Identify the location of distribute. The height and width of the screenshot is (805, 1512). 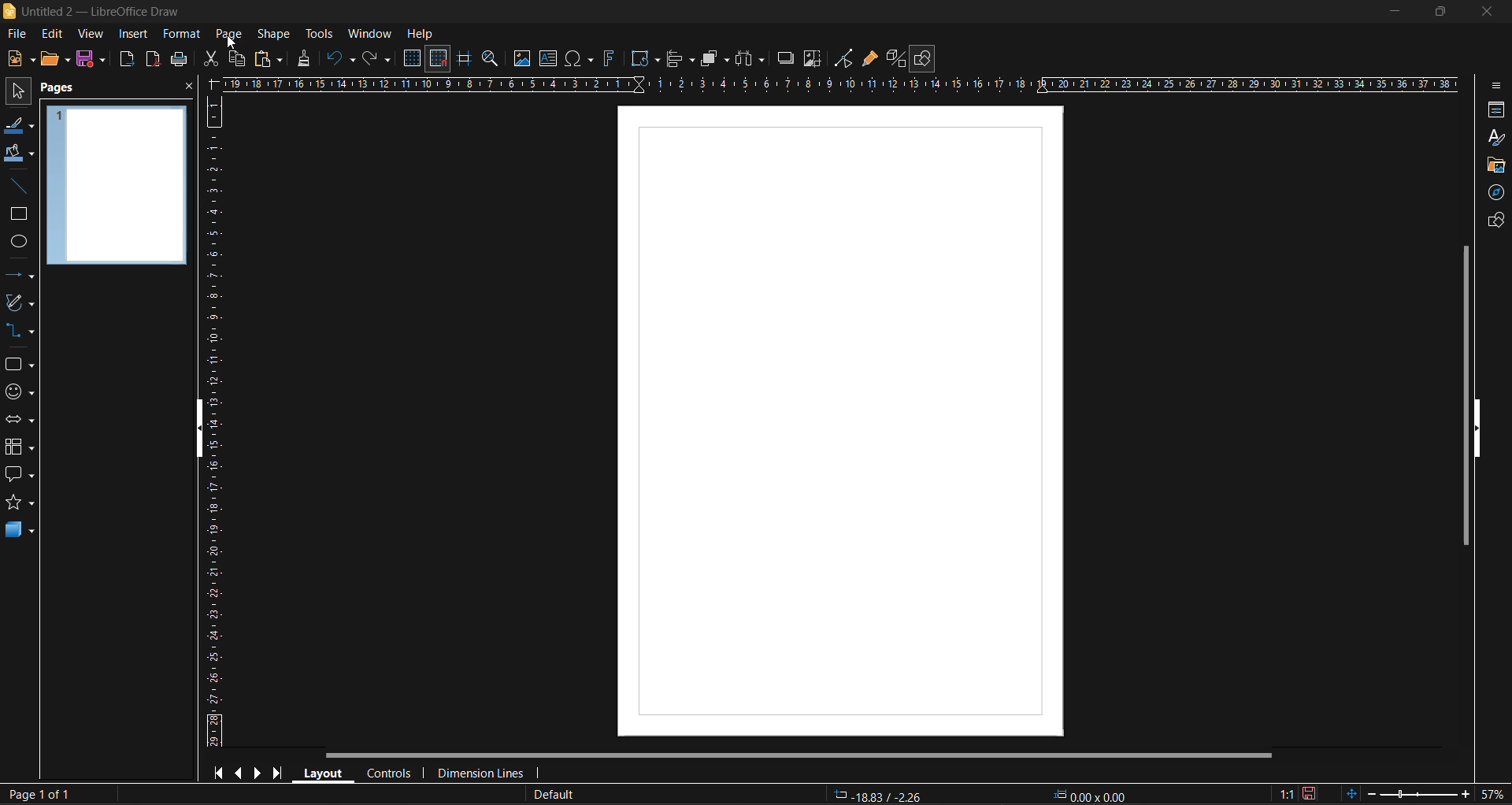
(749, 59).